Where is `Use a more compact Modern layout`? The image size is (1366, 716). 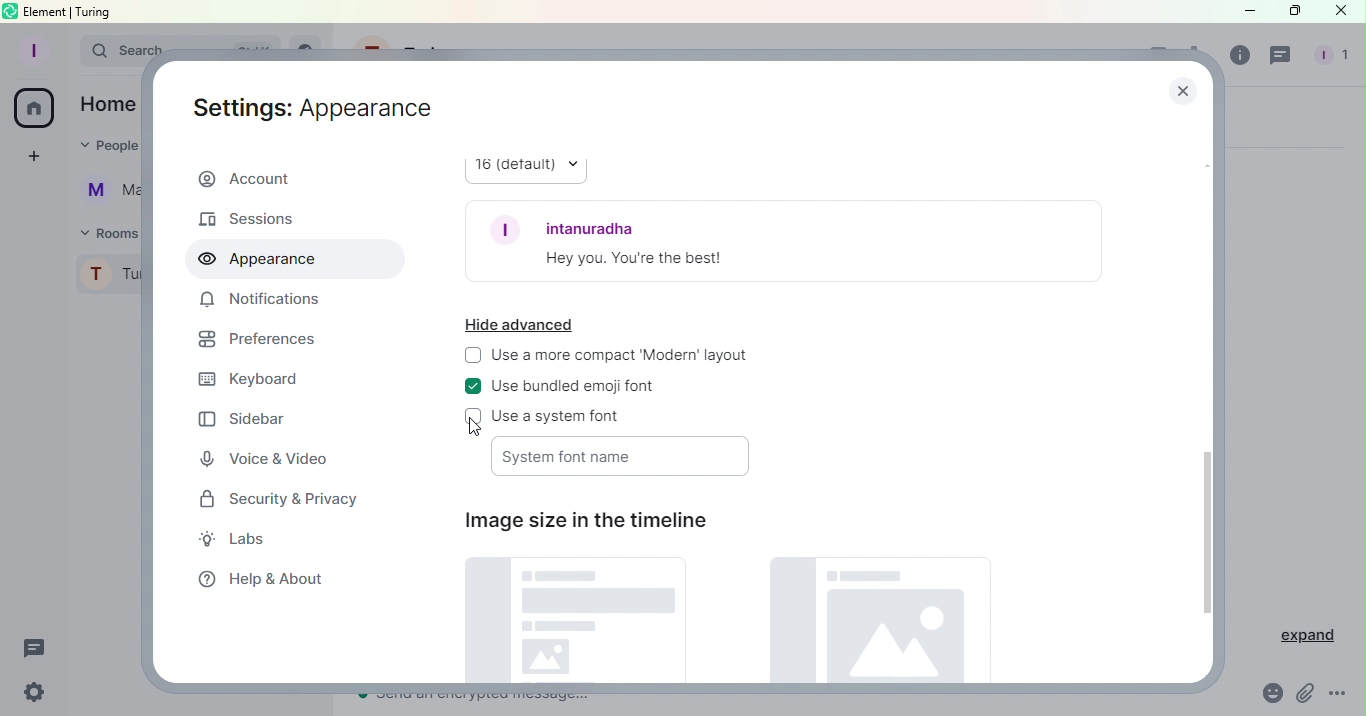 Use a more compact Modern layout is located at coordinates (623, 356).